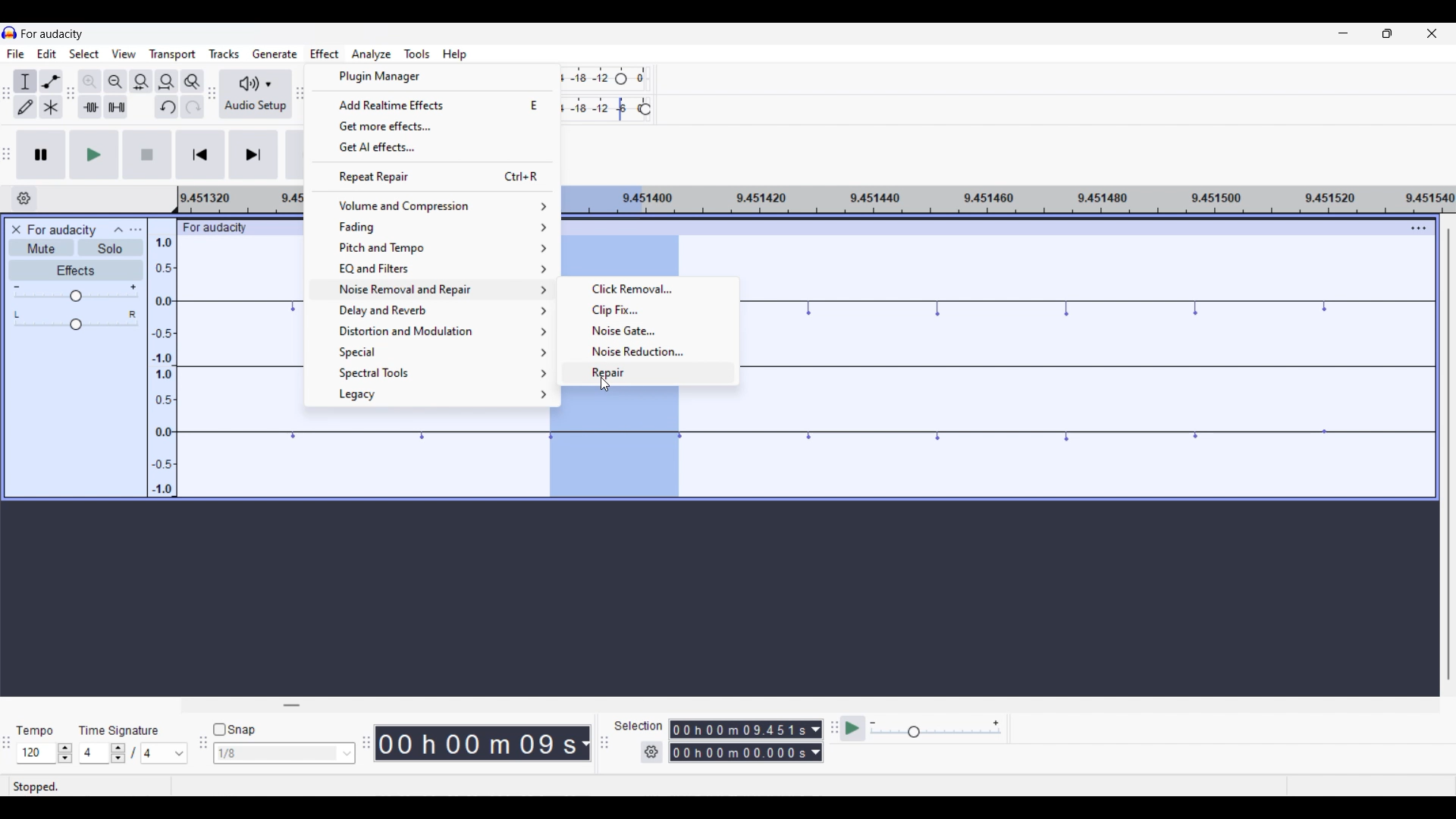 This screenshot has height=819, width=1456. I want to click on TIme selection tool bar, so click(9, 752).